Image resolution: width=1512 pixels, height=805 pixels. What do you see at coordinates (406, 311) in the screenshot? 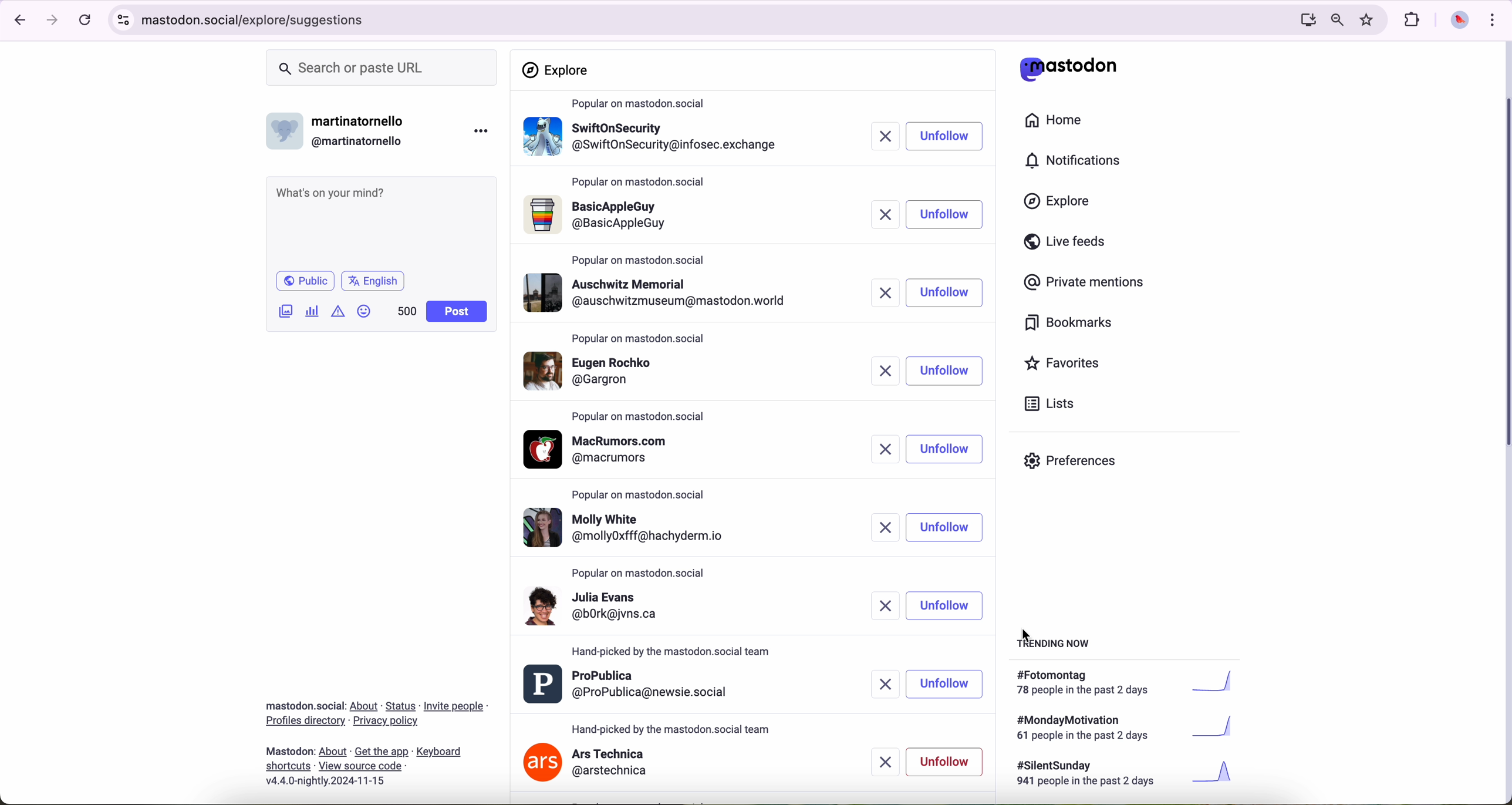
I see `500 characters` at bounding box center [406, 311].